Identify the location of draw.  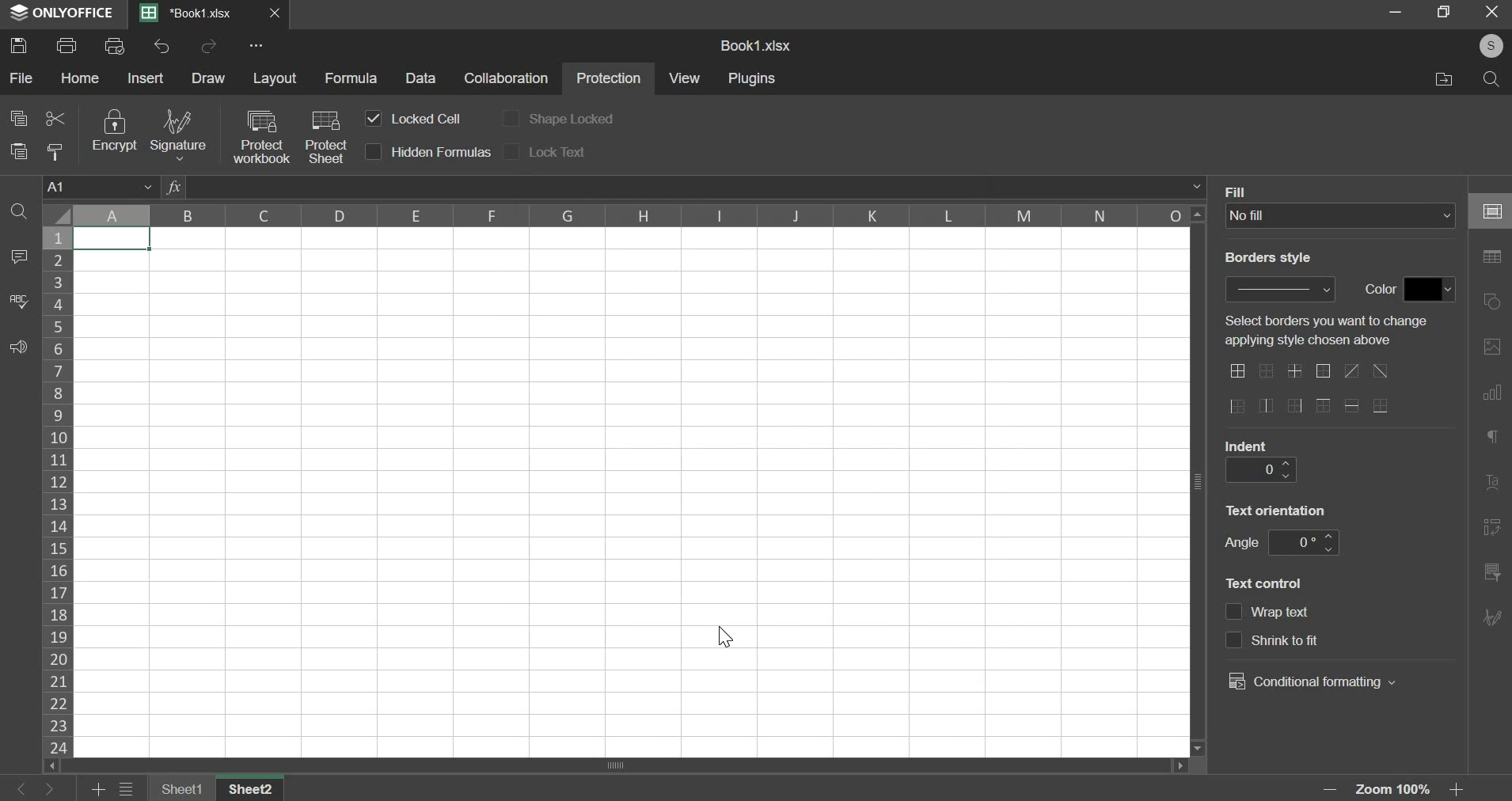
(208, 78).